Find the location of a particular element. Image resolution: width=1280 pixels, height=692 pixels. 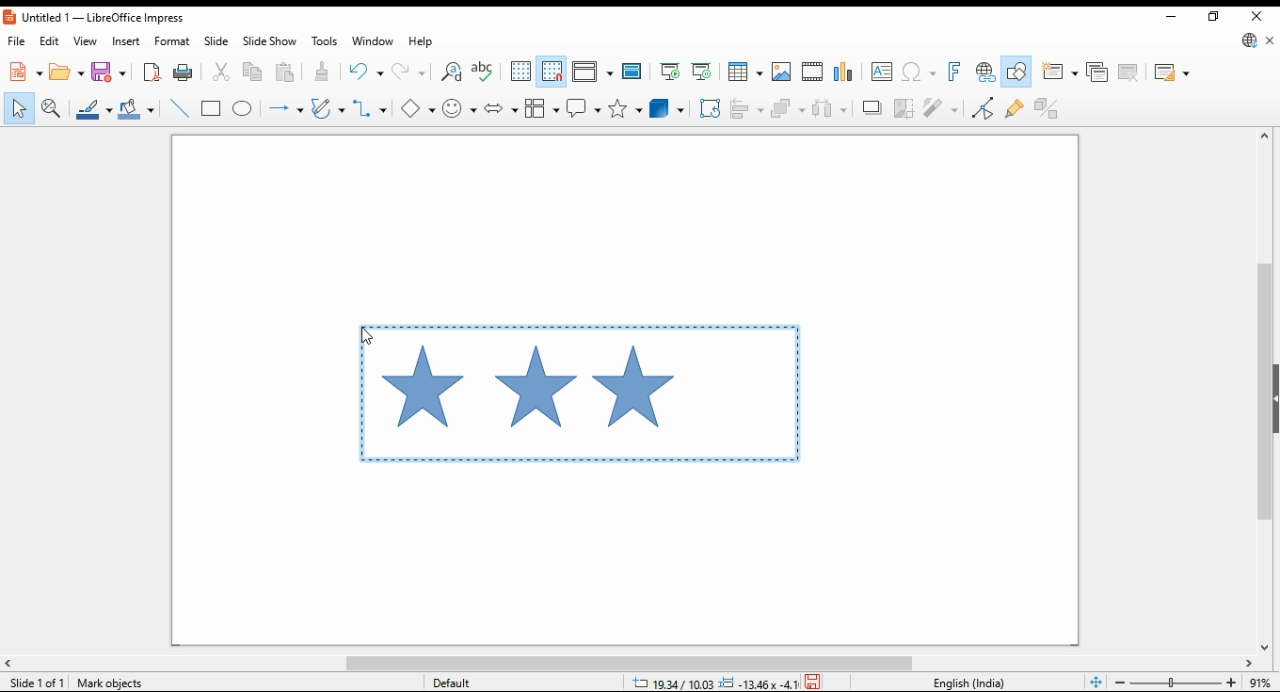

open is located at coordinates (67, 71).